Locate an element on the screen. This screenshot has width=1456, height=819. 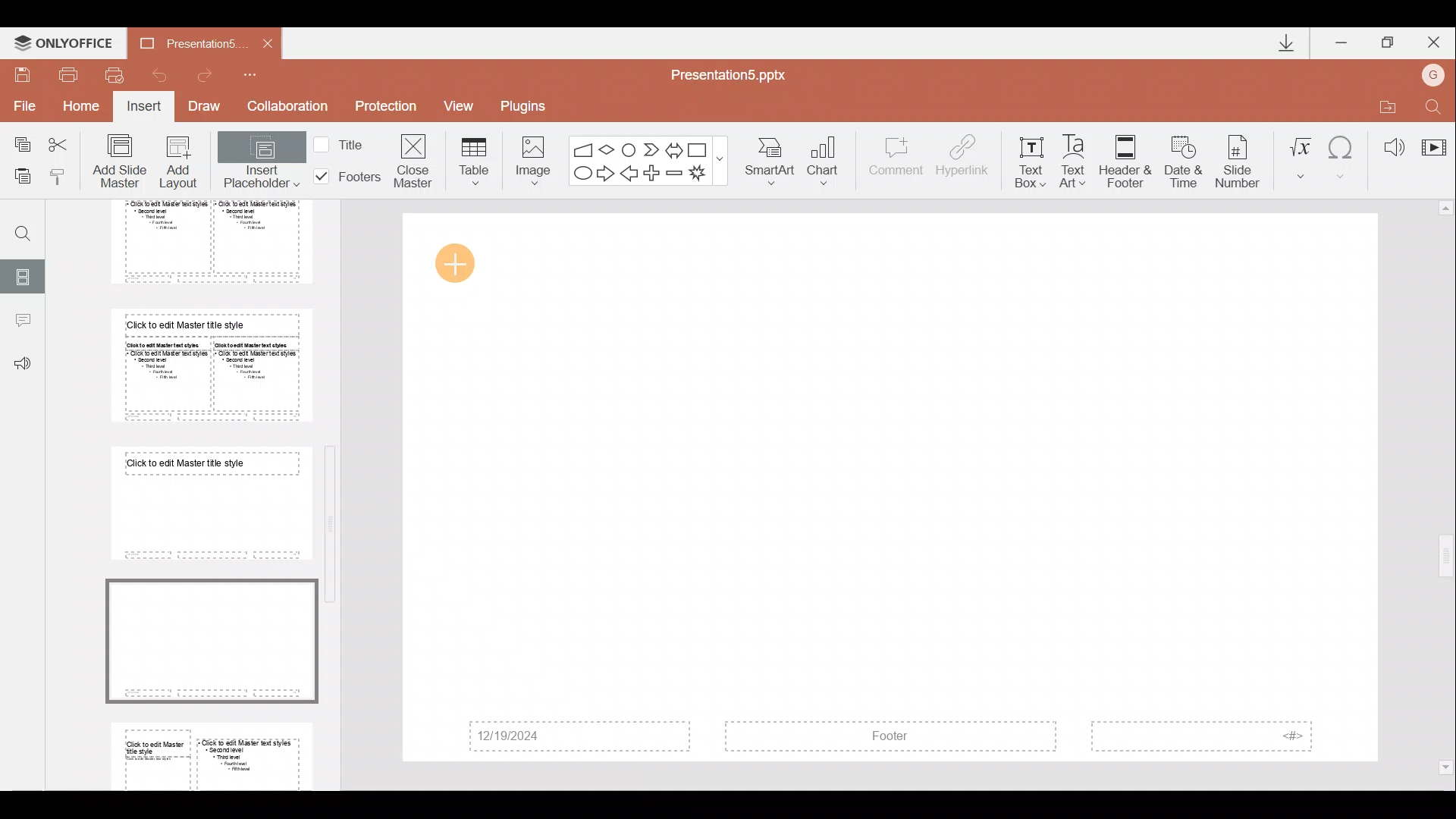
Collaboration is located at coordinates (287, 106).